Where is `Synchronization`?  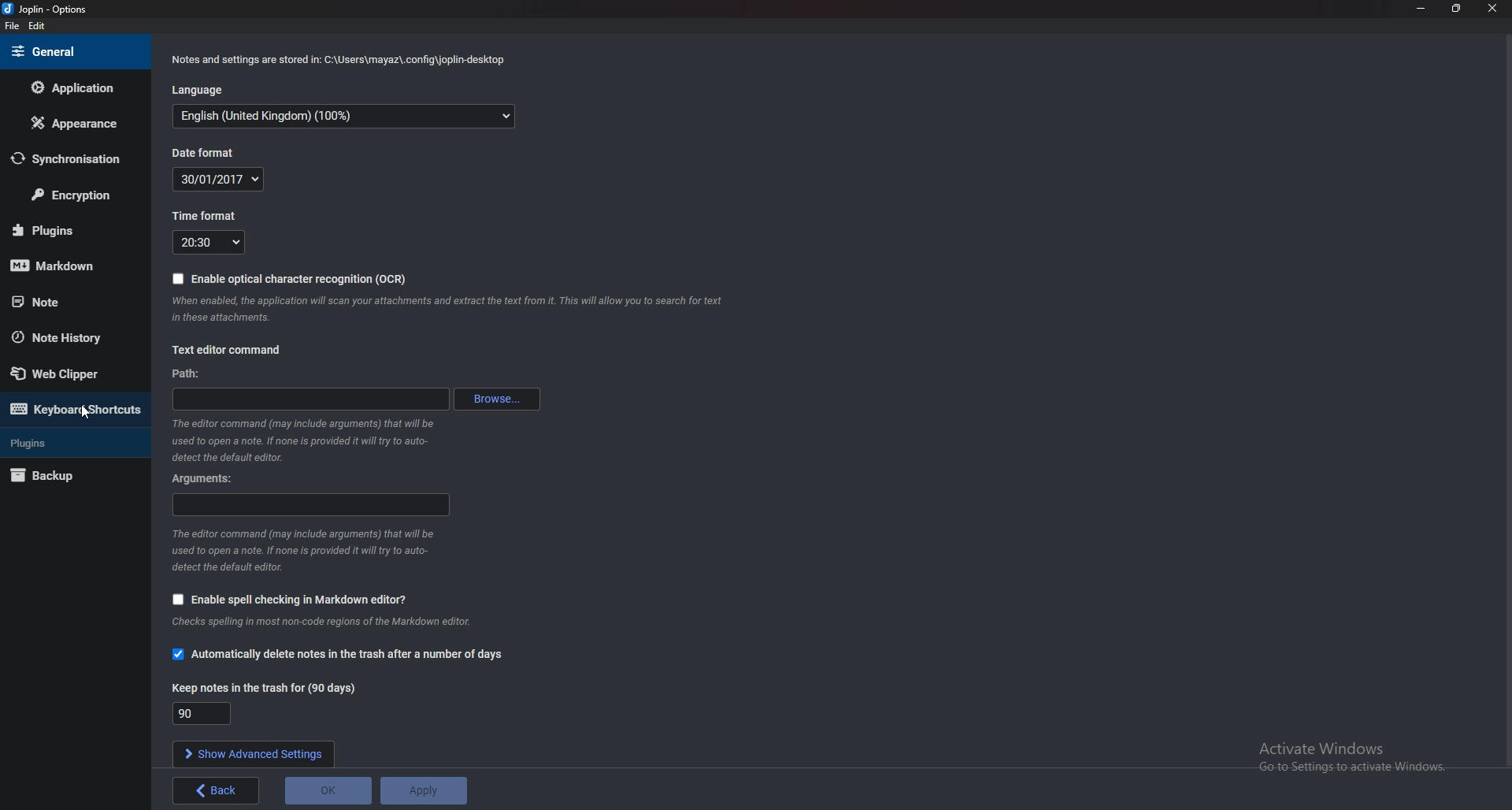
Synchronization is located at coordinates (76, 158).